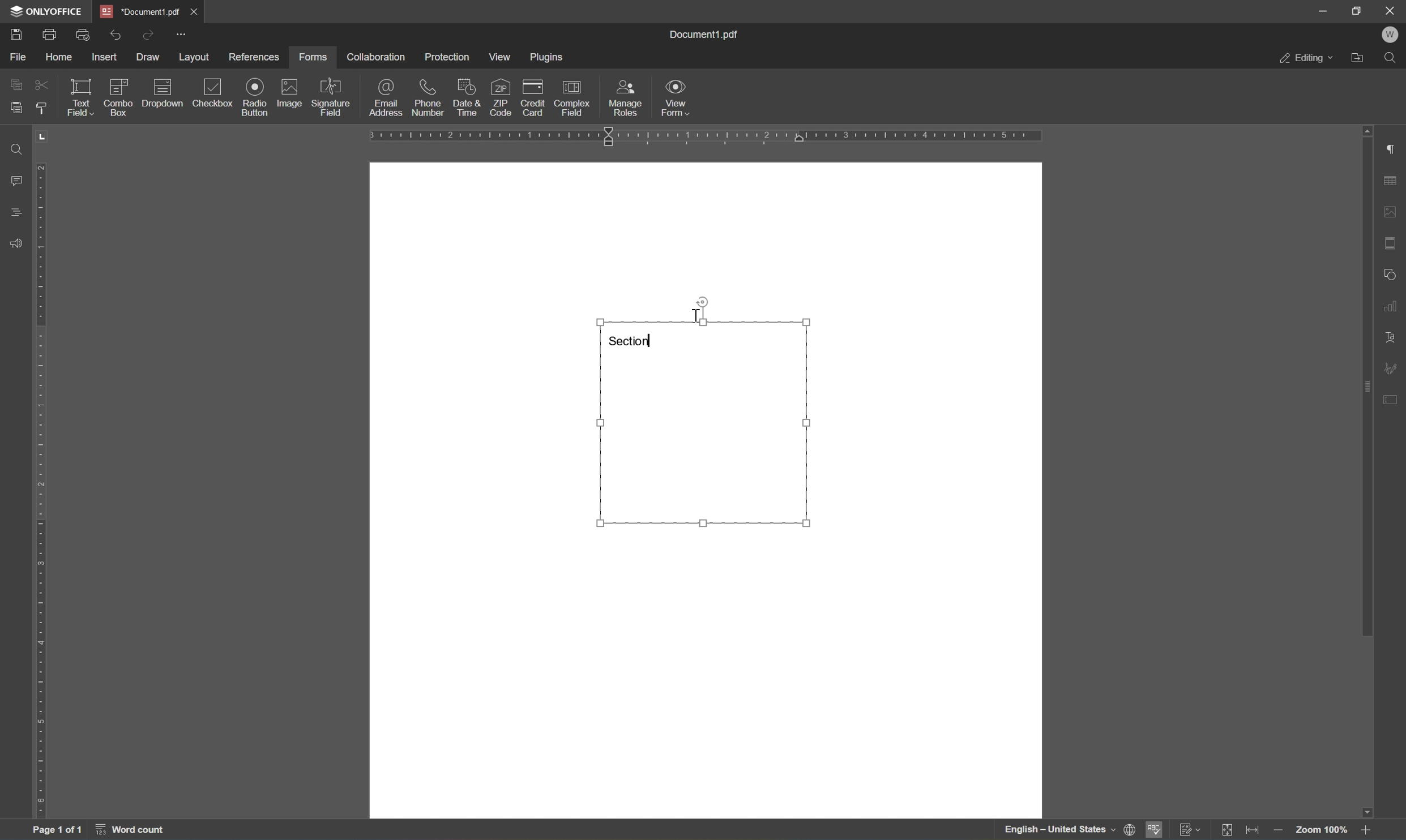  I want to click on spell checking, so click(1153, 830).